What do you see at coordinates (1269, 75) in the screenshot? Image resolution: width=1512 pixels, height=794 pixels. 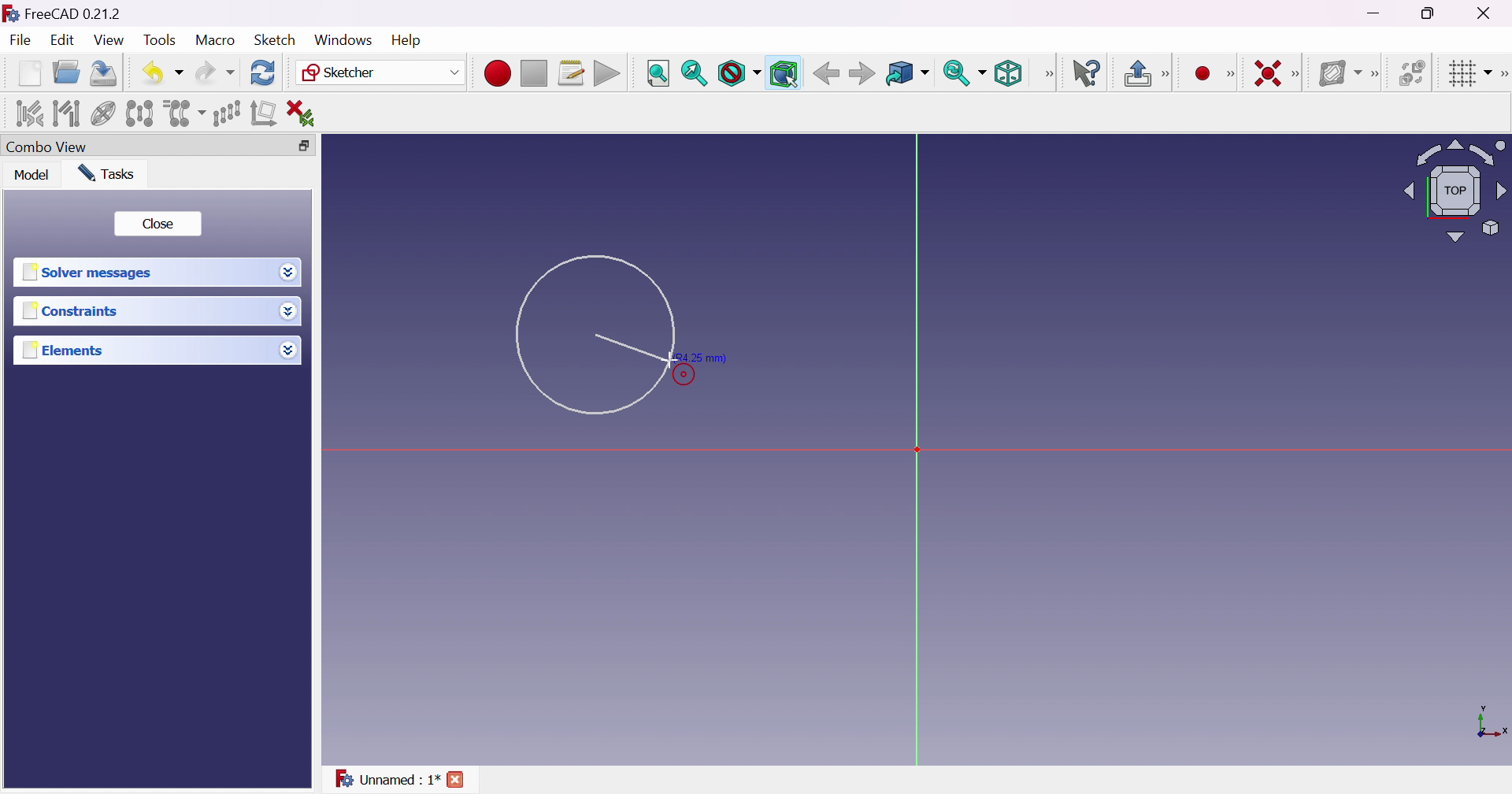 I see `Constrain conincident` at bounding box center [1269, 75].